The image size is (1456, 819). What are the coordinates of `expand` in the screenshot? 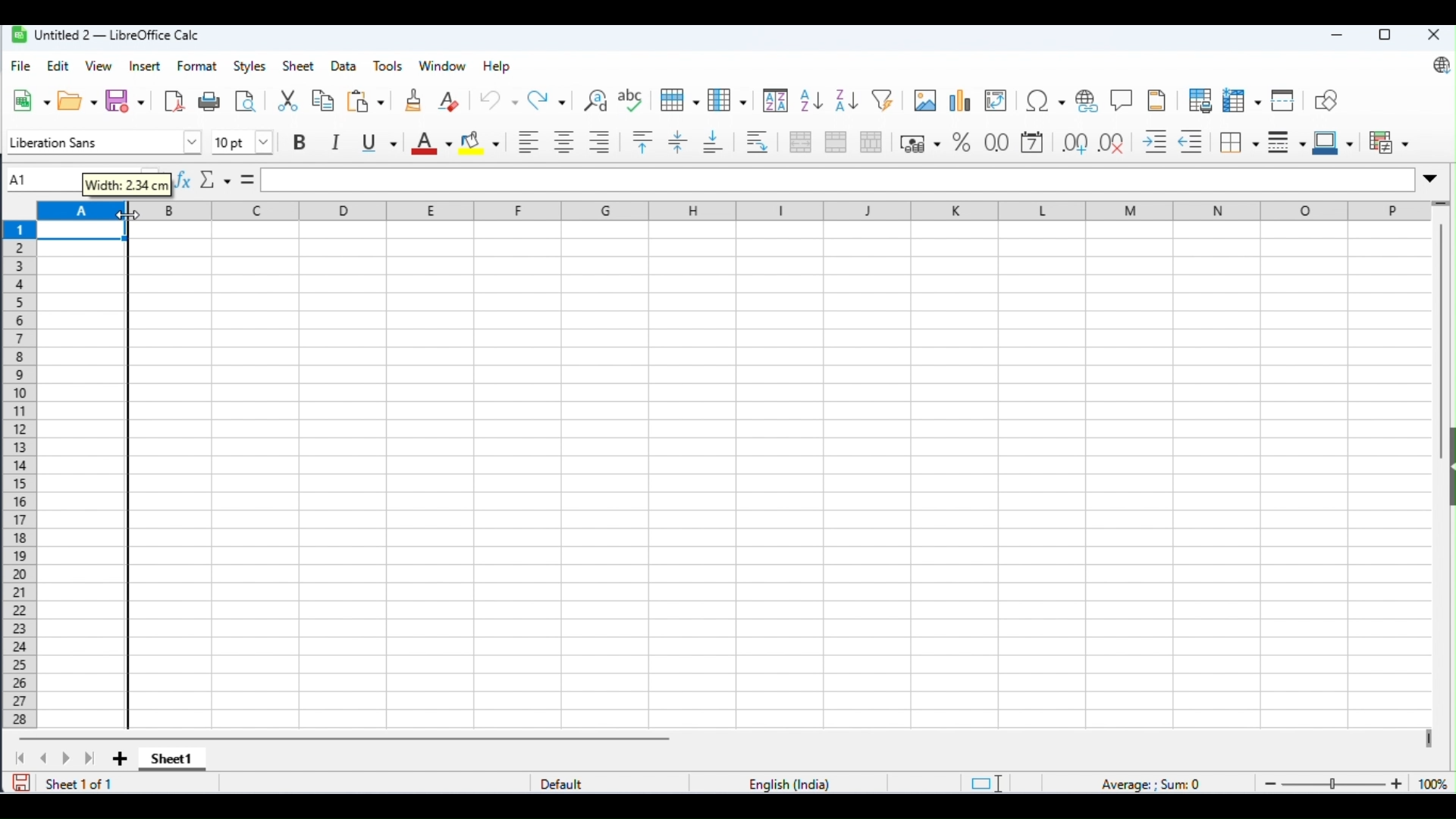 It's located at (1429, 180).